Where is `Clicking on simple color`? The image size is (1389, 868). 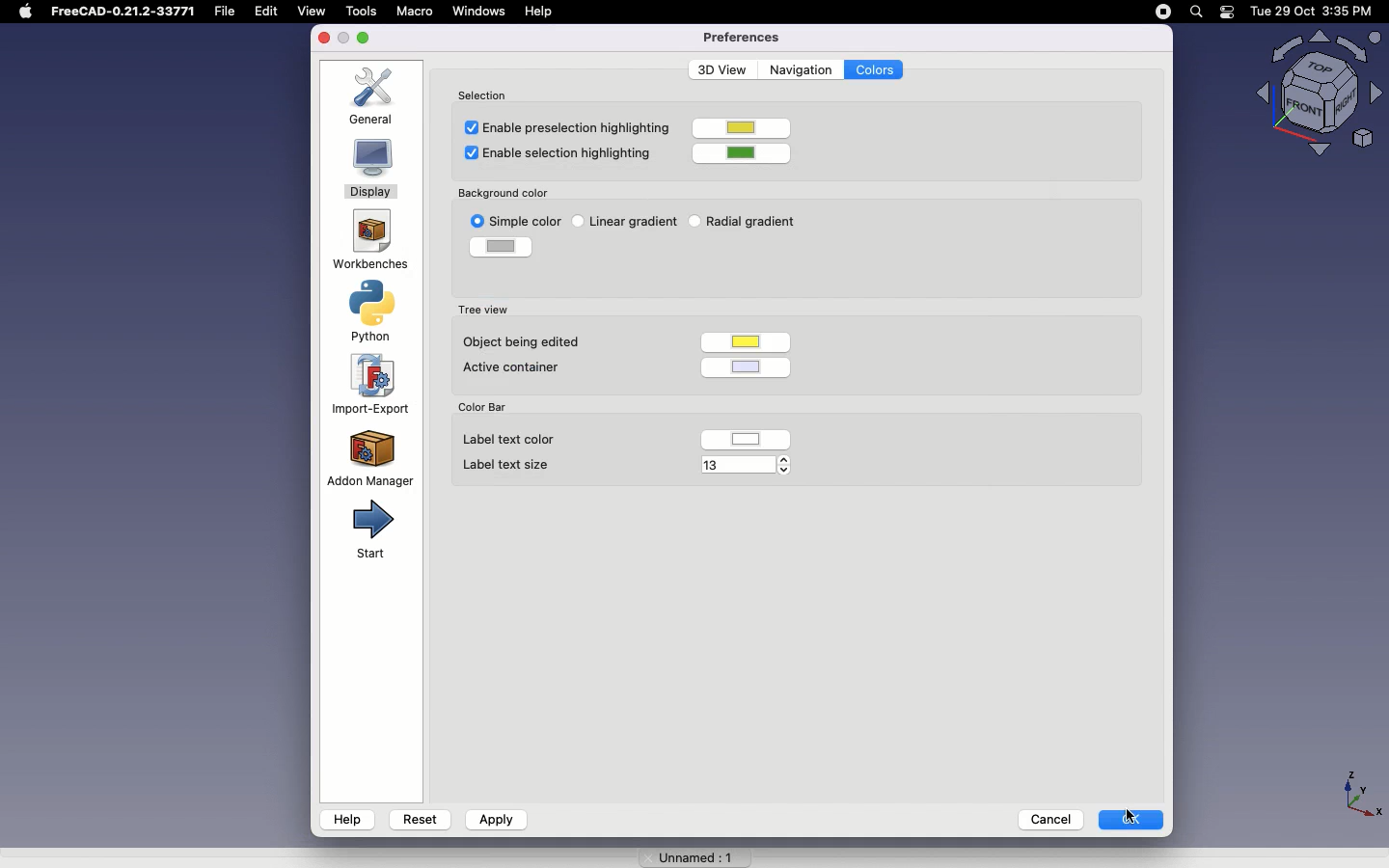
Clicking on simple color is located at coordinates (524, 223).